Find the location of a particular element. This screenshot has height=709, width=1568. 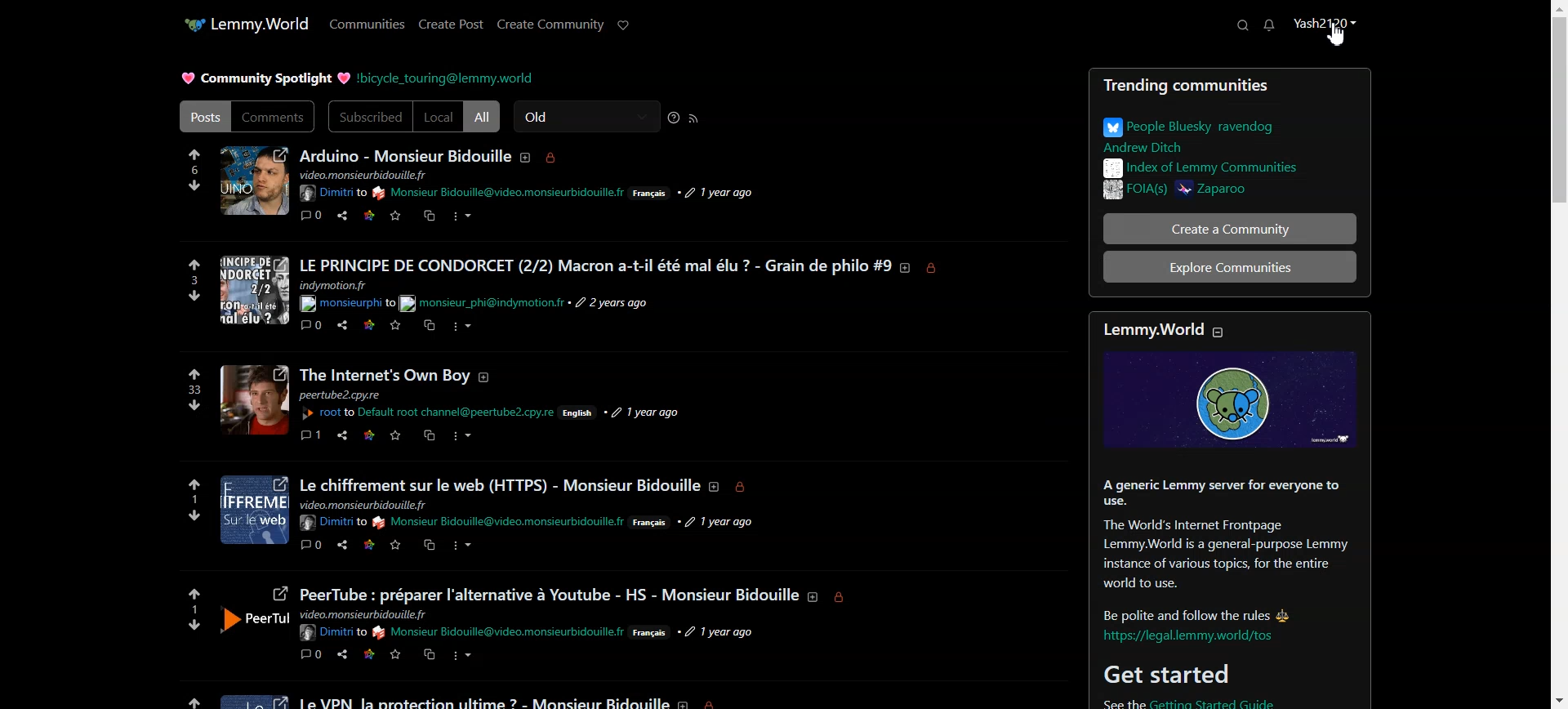

Explore Communities is located at coordinates (1229, 267).